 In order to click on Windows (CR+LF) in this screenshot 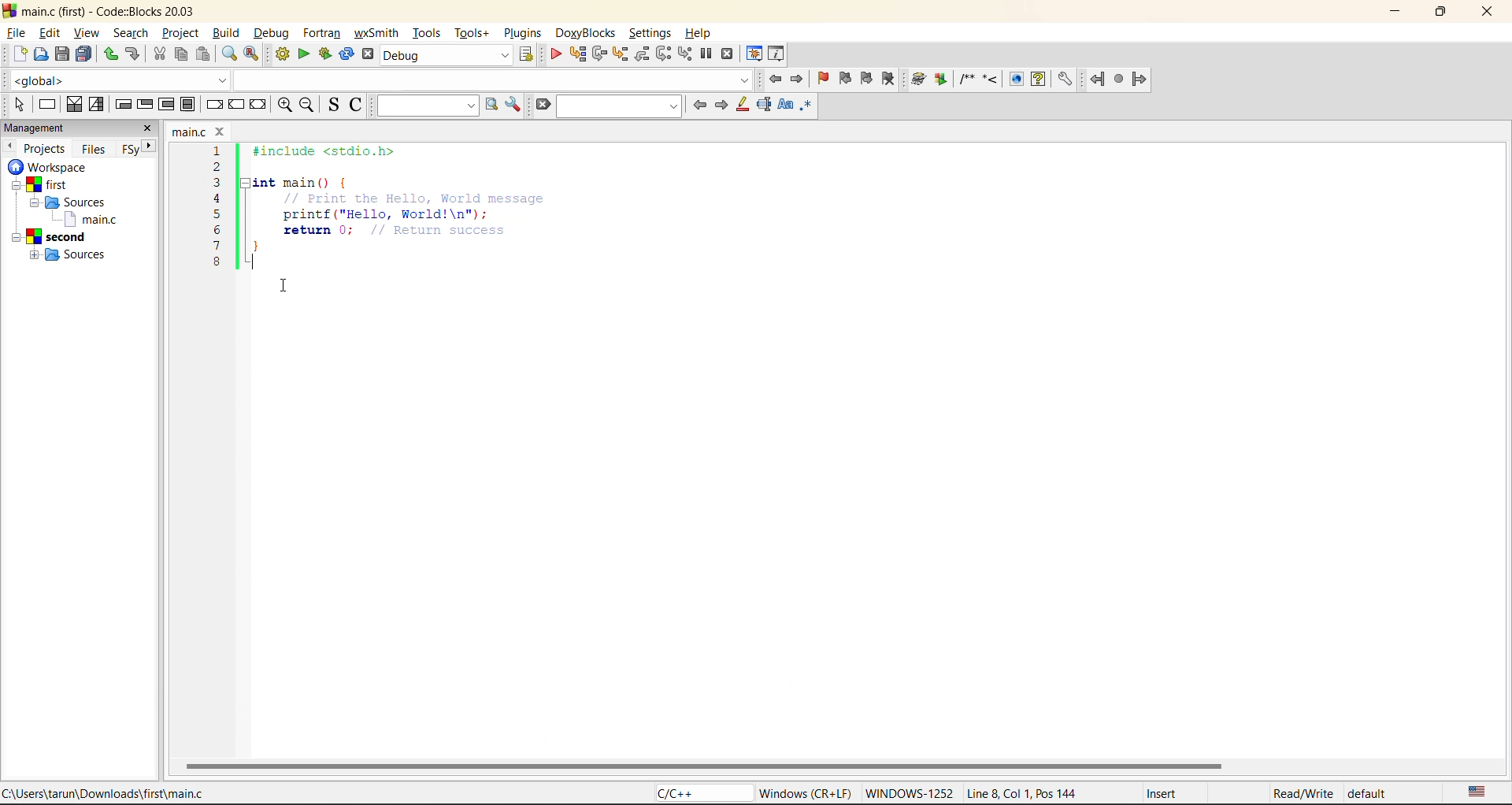, I will do `click(805, 792)`.